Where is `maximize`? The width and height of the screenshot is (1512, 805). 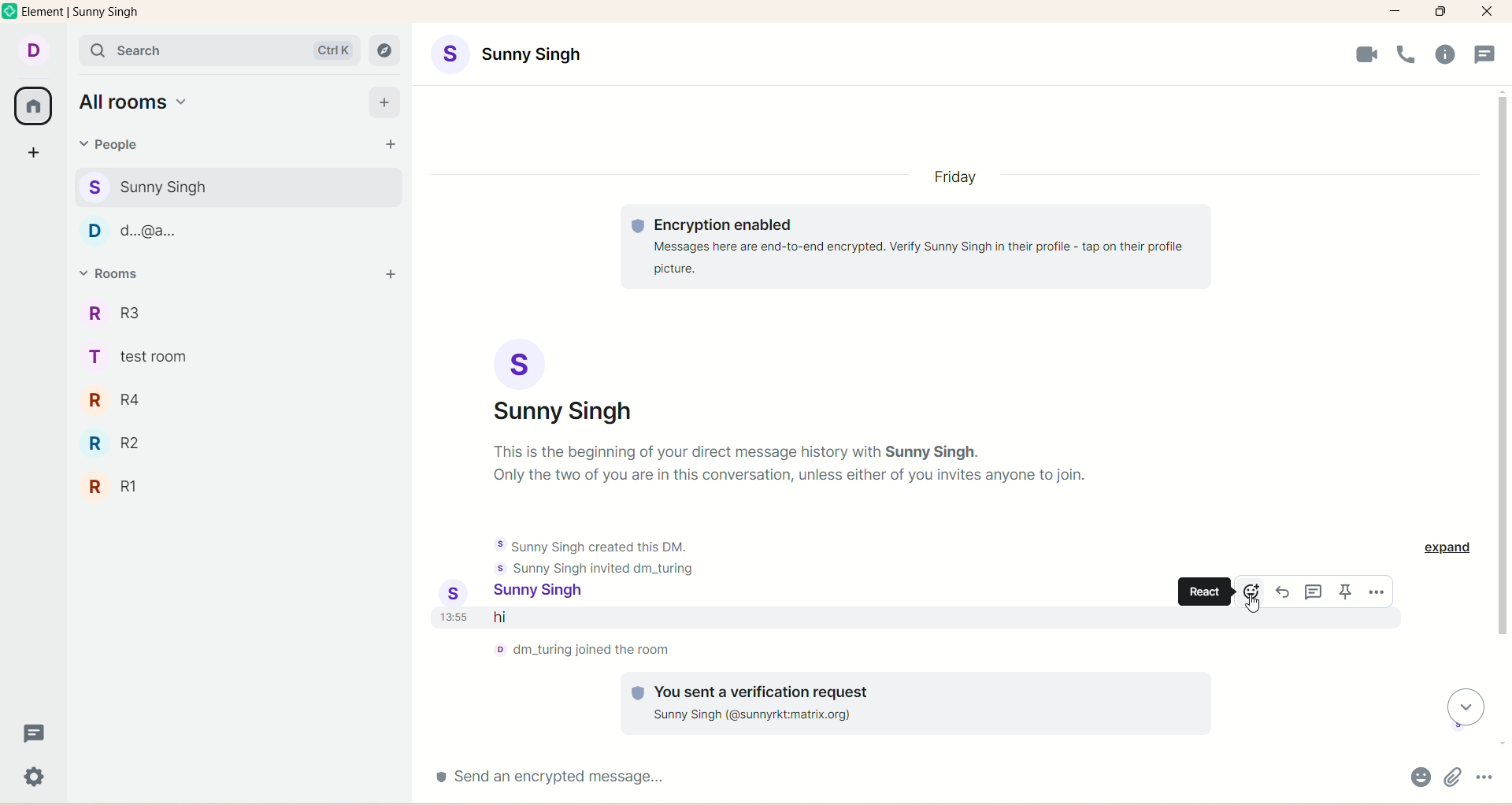
maximize is located at coordinates (1440, 12).